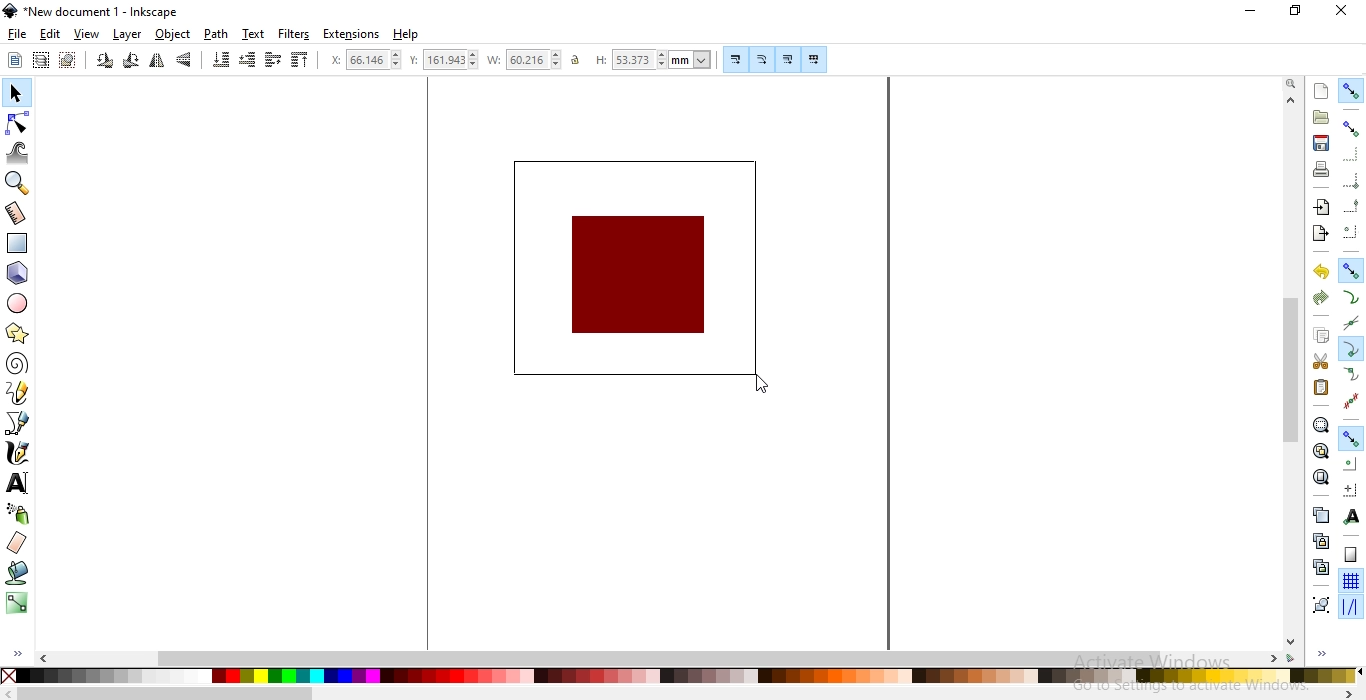 The width and height of the screenshot is (1366, 700). I want to click on snap centers of bounding boxes, so click(1352, 231).